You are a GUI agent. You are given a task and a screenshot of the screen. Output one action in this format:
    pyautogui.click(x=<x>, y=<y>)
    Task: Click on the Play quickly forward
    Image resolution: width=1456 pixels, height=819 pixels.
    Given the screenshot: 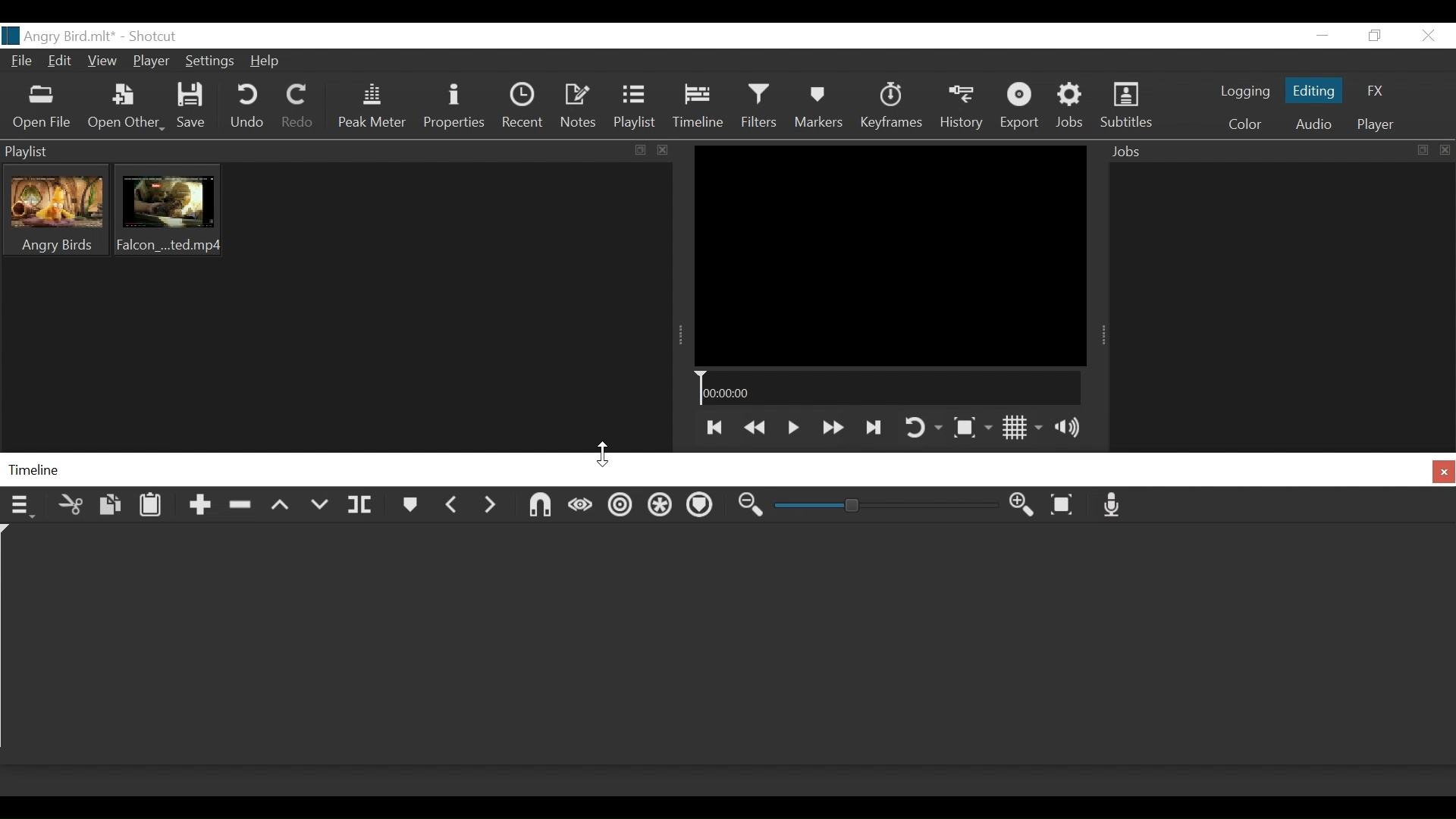 What is the action you would take?
    pyautogui.click(x=830, y=428)
    